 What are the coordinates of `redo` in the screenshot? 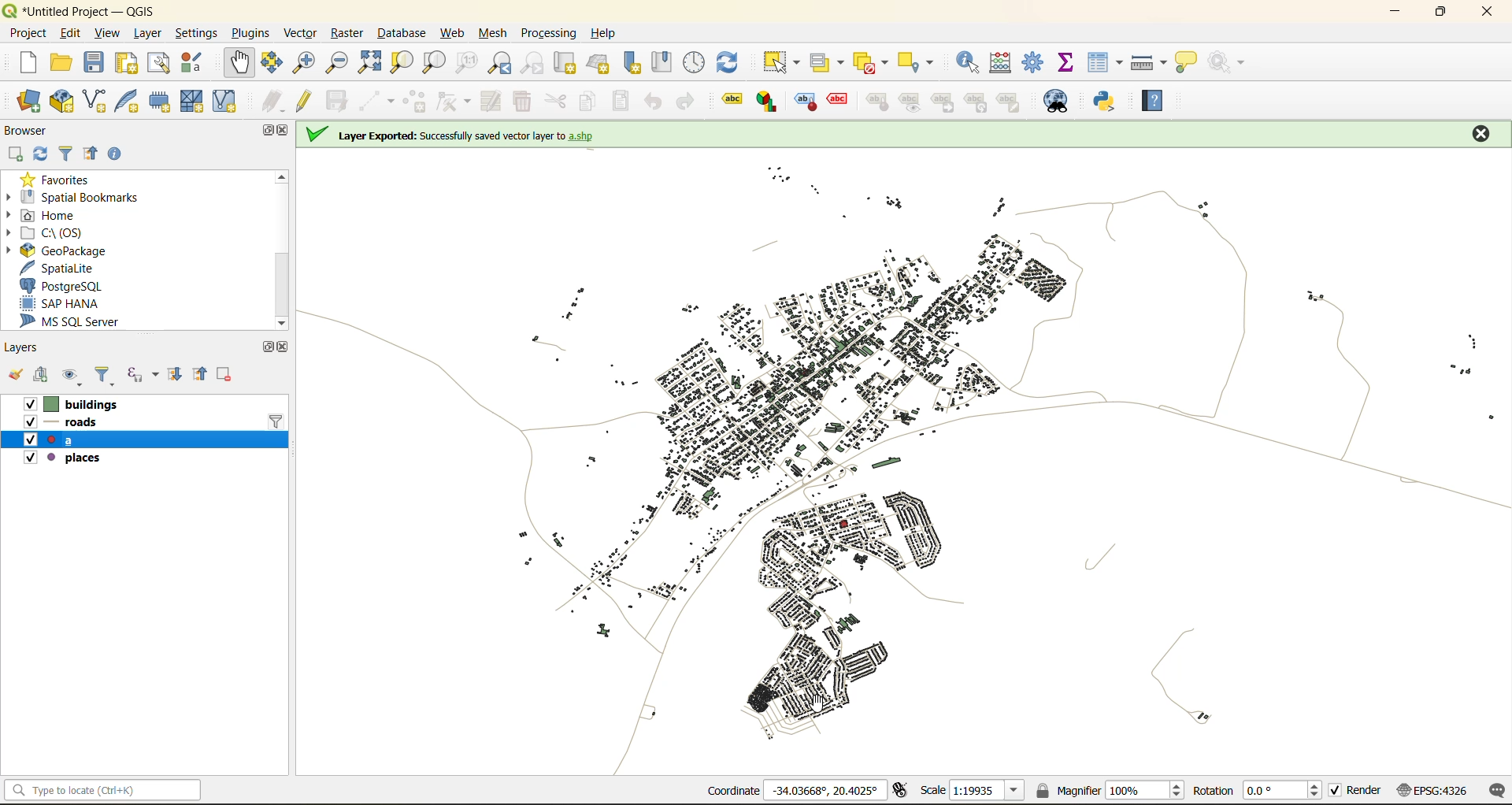 It's located at (684, 101).